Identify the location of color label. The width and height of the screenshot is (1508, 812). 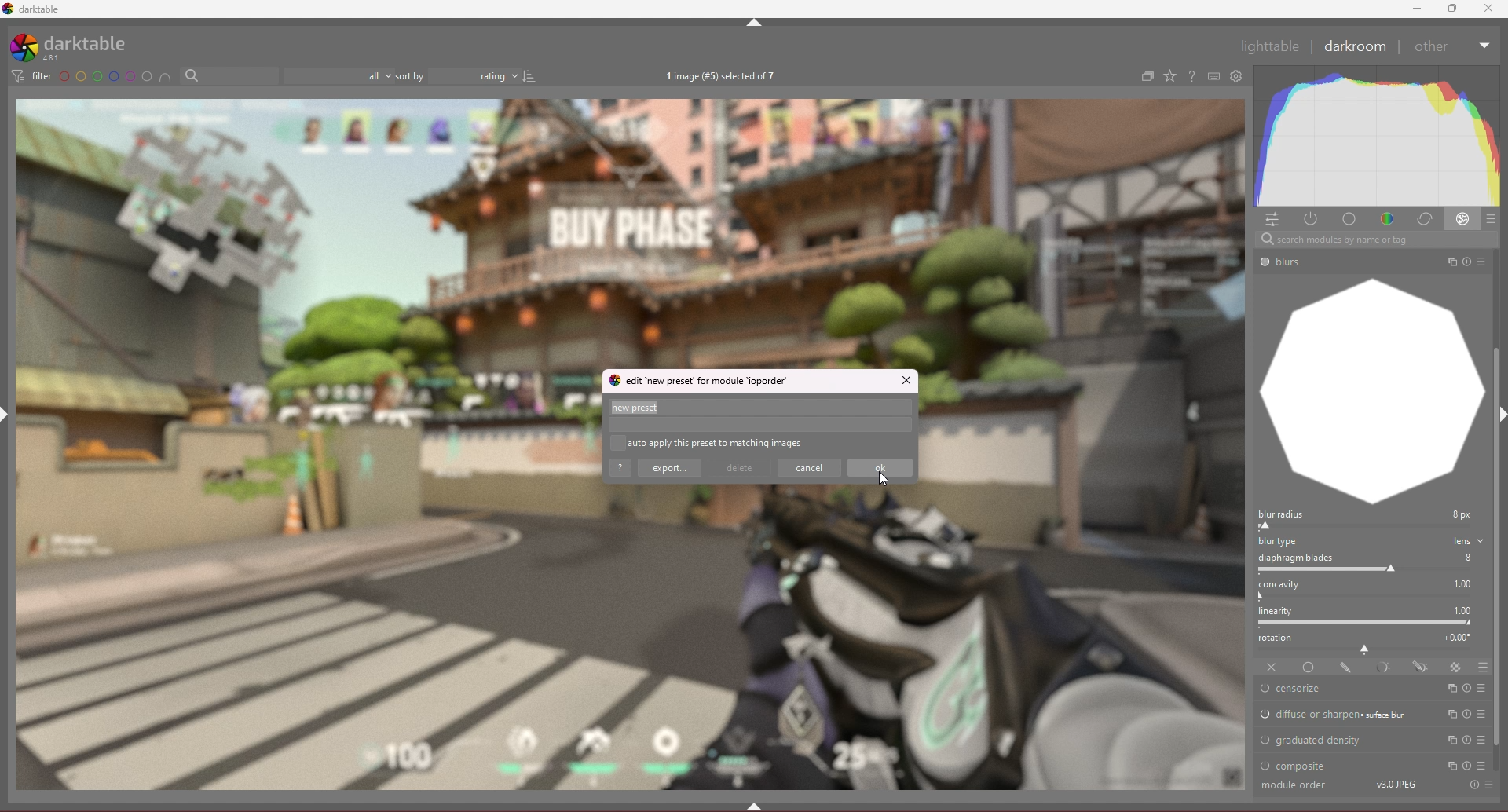
(105, 75).